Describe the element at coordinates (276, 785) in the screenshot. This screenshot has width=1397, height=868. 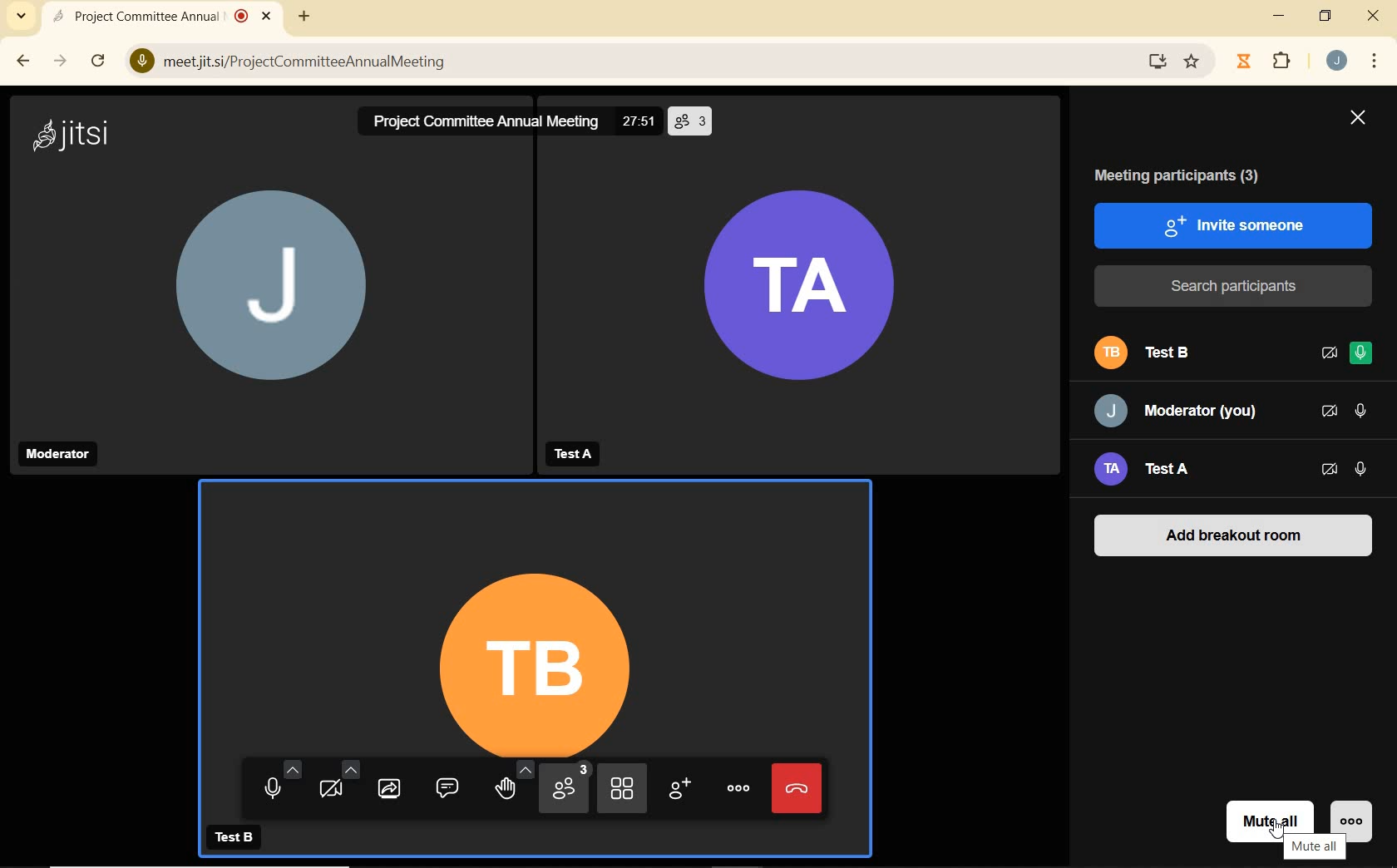
I see `MICROPHONE` at that location.